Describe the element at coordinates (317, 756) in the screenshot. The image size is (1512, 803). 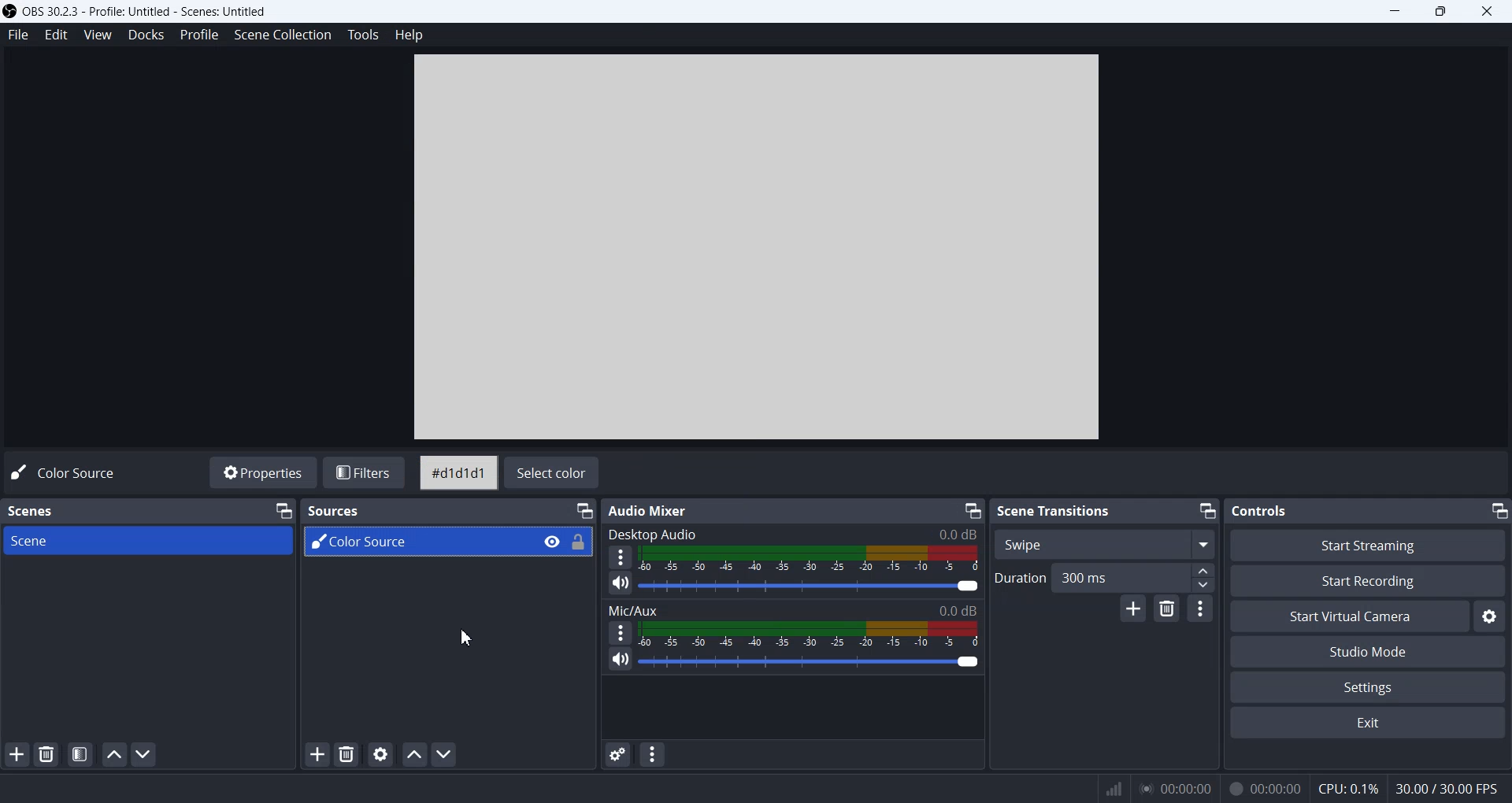
I see `Add Source` at that location.